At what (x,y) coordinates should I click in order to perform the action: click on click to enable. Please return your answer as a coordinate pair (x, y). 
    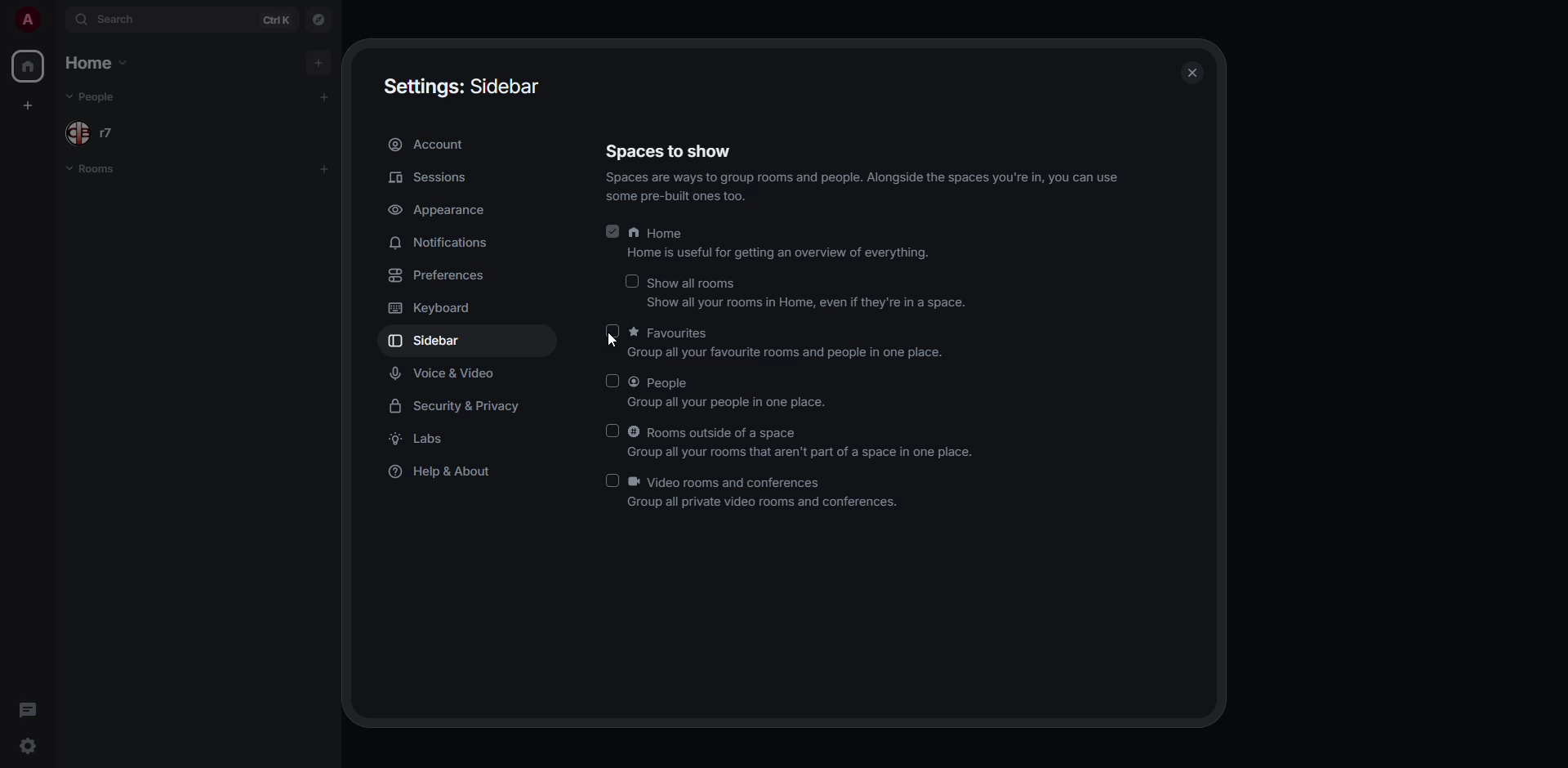
    Looking at the image, I should click on (612, 481).